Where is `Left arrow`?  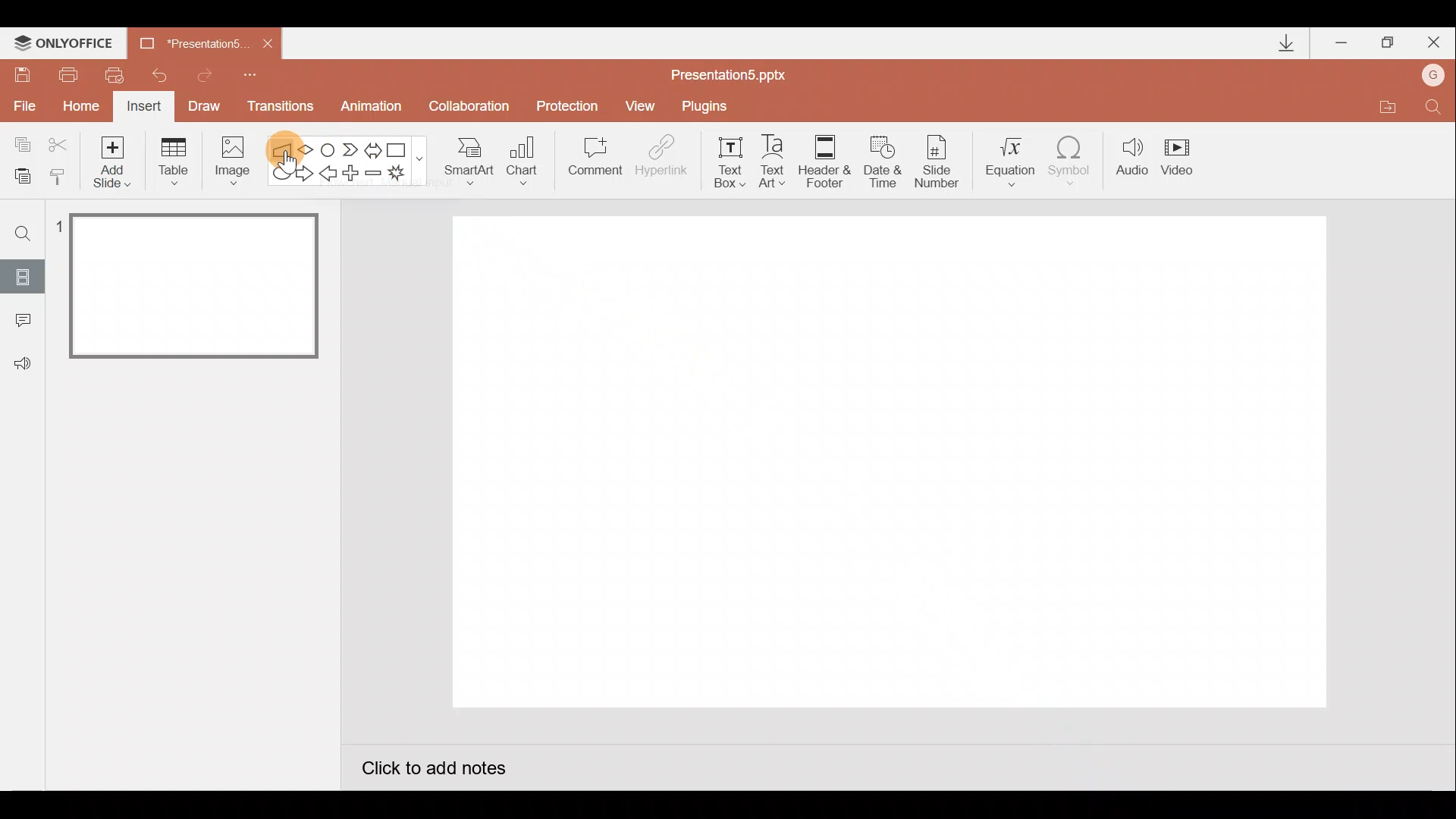 Left arrow is located at coordinates (329, 175).